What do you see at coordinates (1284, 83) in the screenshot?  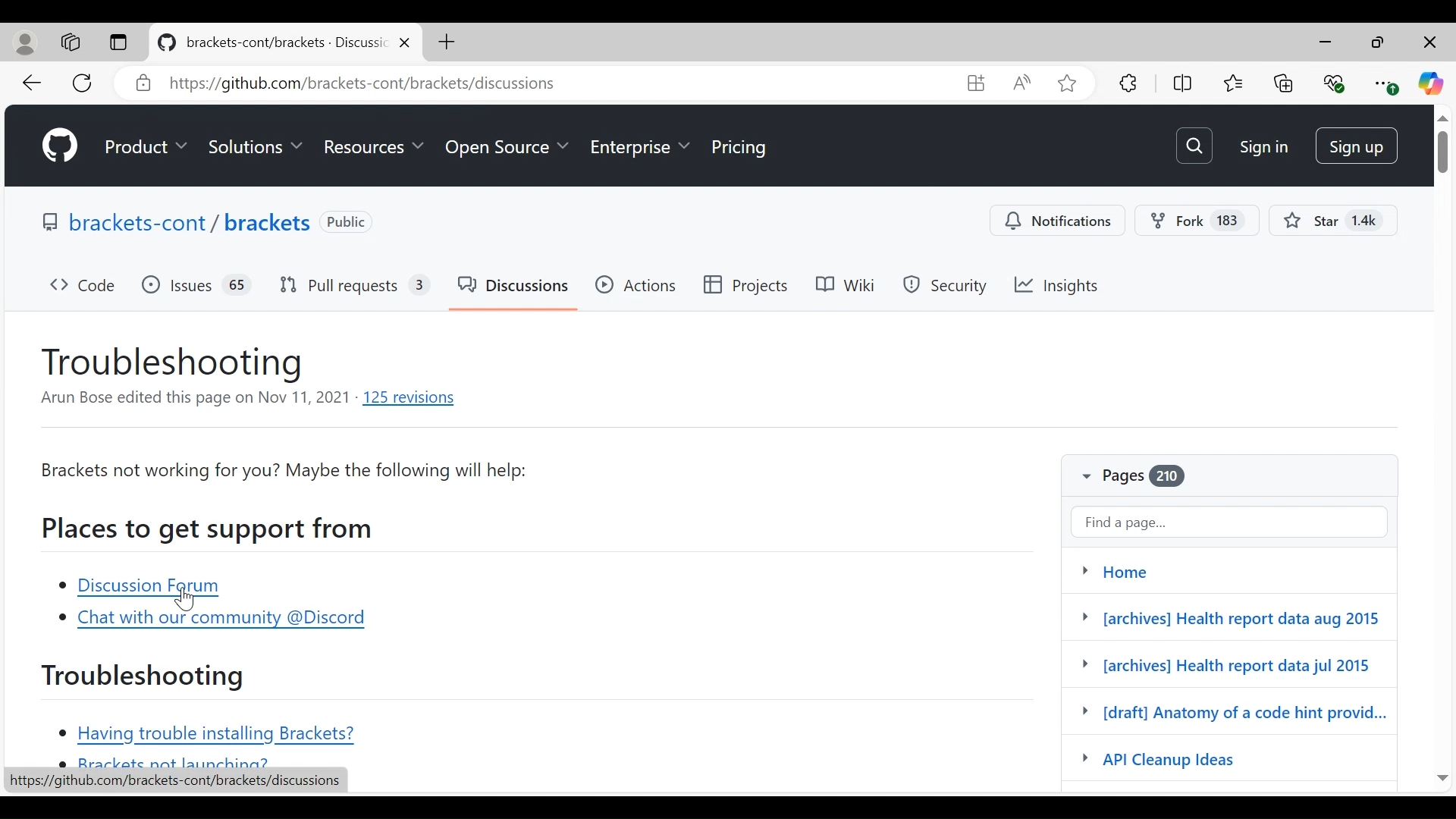 I see `Collections` at bounding box center [1284, 83].